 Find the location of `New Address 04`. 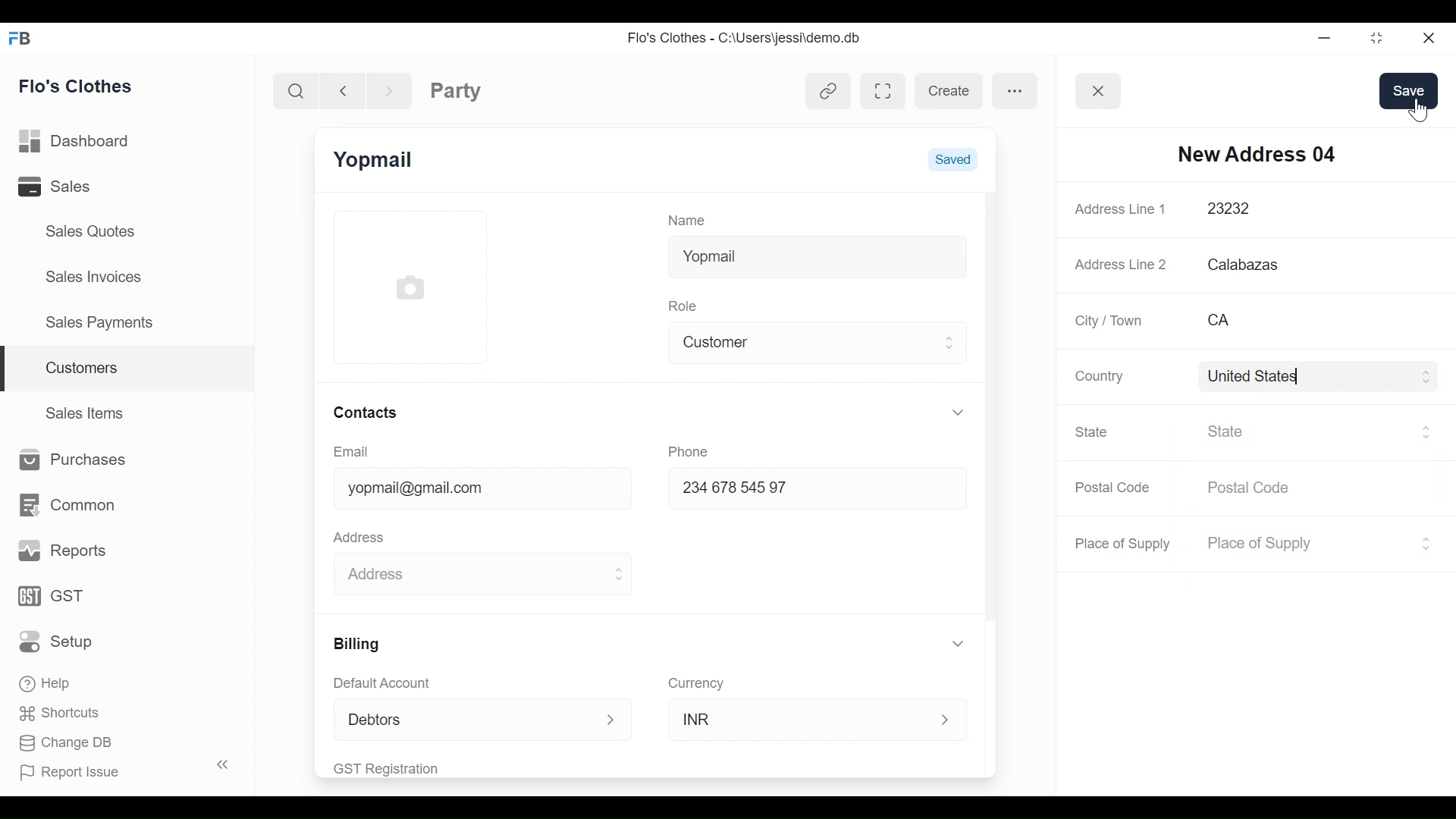

New Address 04 is located at coordinates (1257, 153).